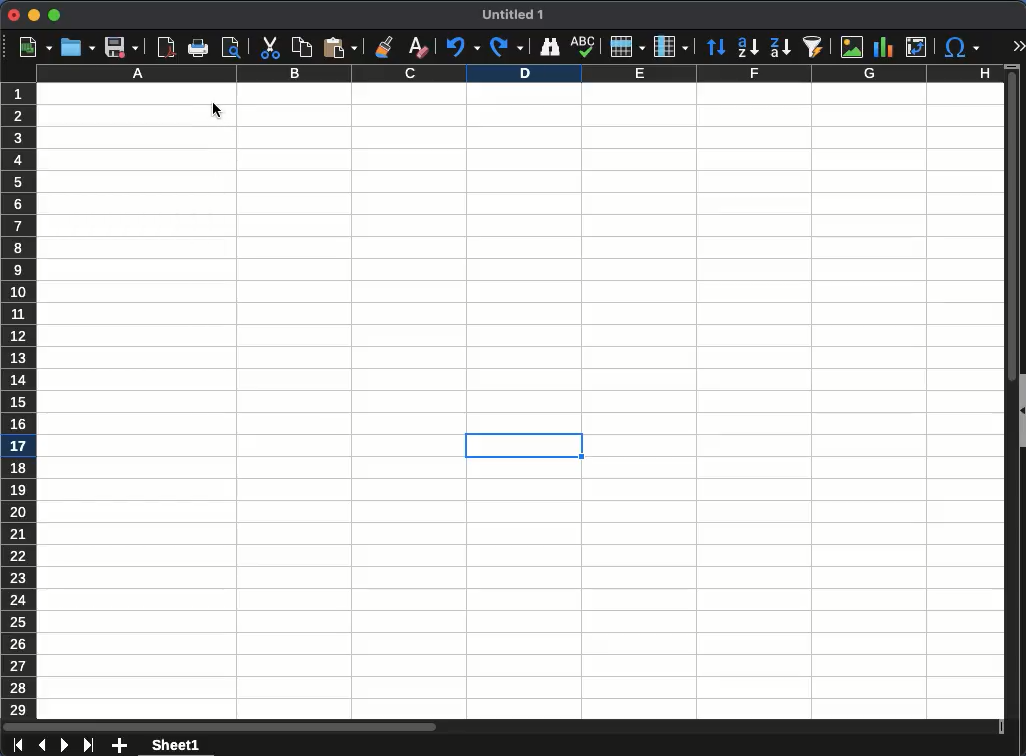 The image size is (1026, 756). What do you see at coordinates (175, 745) in the screenshot?
I see `sheet 1` at bounding box center [175, 745].